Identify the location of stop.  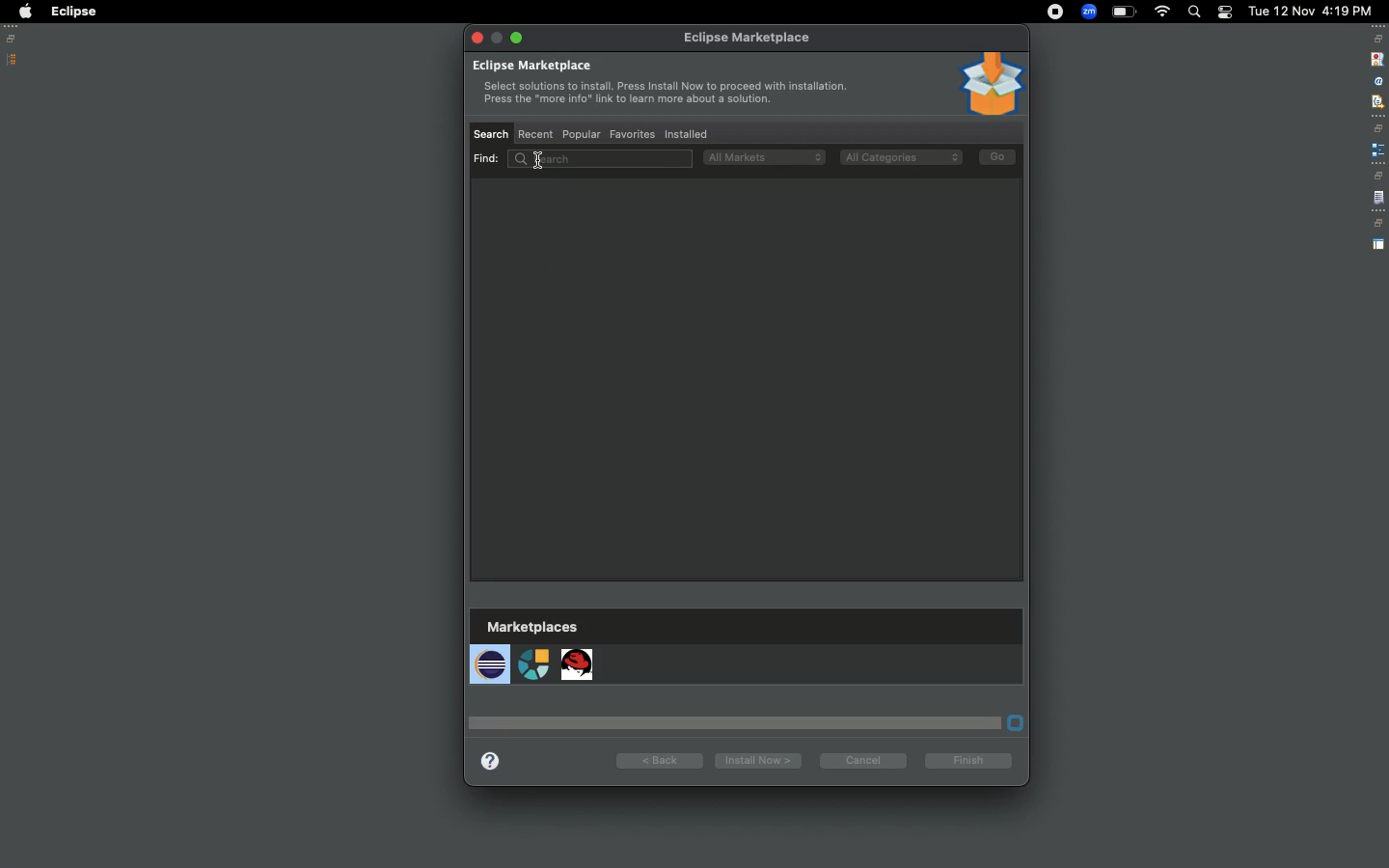
(1375, 58).